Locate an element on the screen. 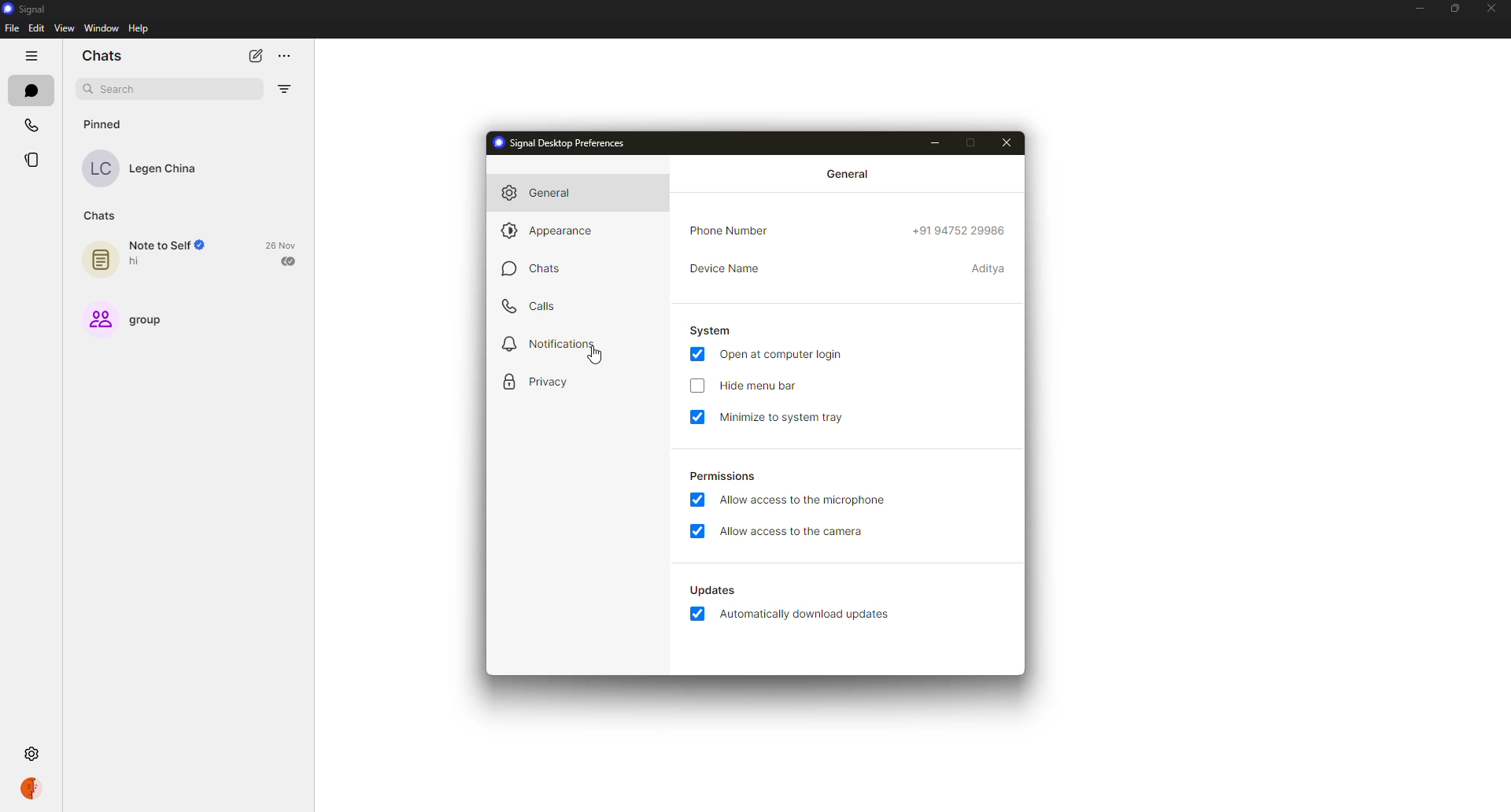  automatically download updates is located at coordinates (808, 616).